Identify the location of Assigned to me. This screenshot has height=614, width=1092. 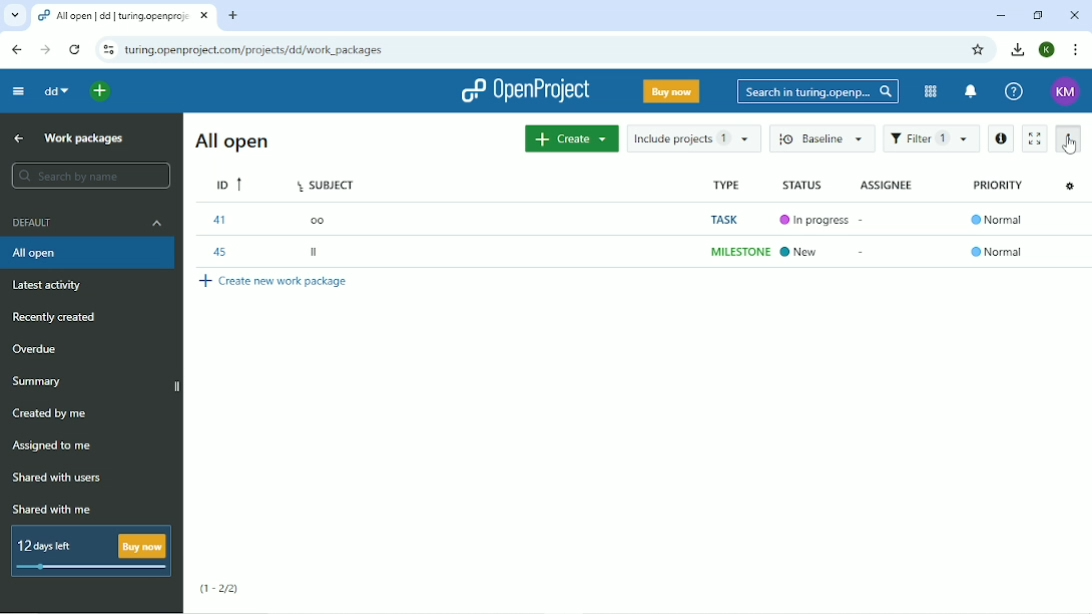
(55, 447).